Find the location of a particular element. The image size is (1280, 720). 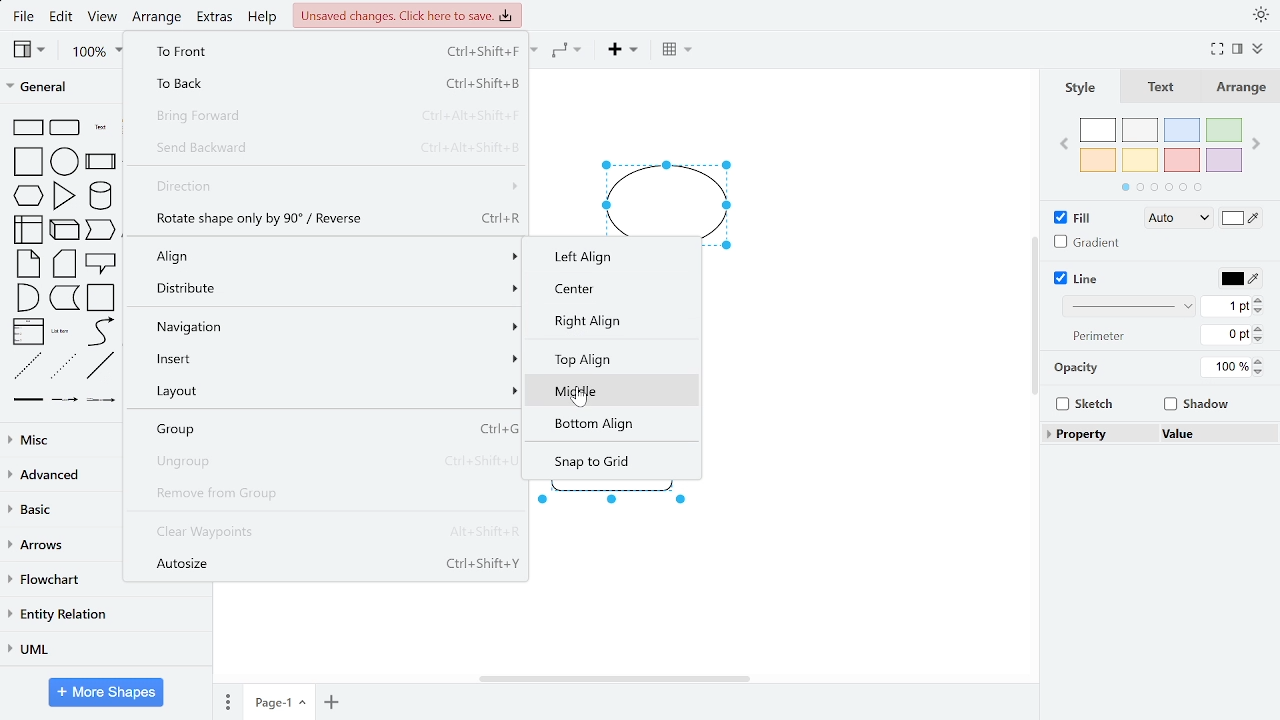

0 pt is located at coordinates (1228, 334).